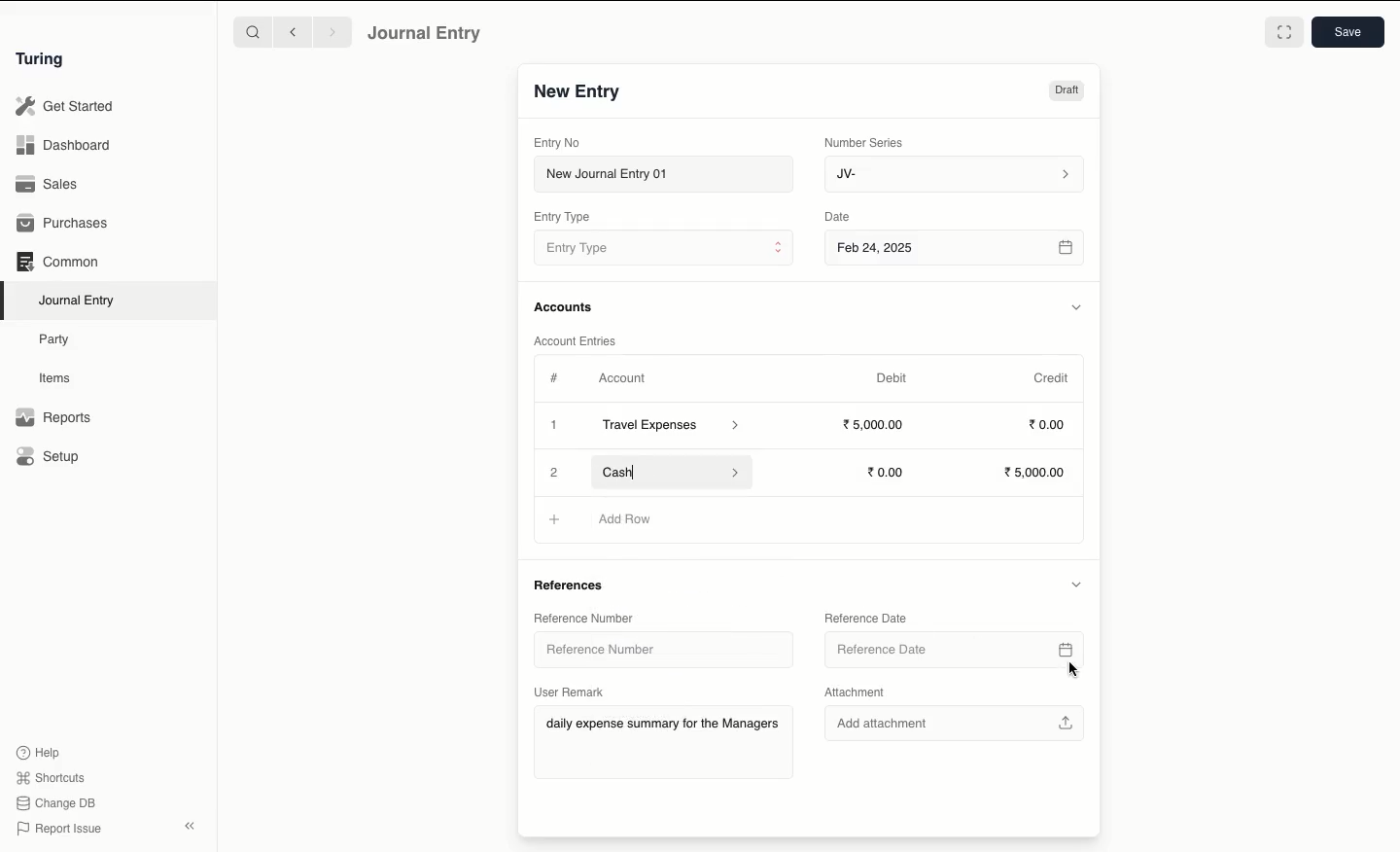 The image size is (1400, 852). What do you see at coordinates (49, 455) in the screenshot?
I see `Setup` at bounding box center [49, 455].